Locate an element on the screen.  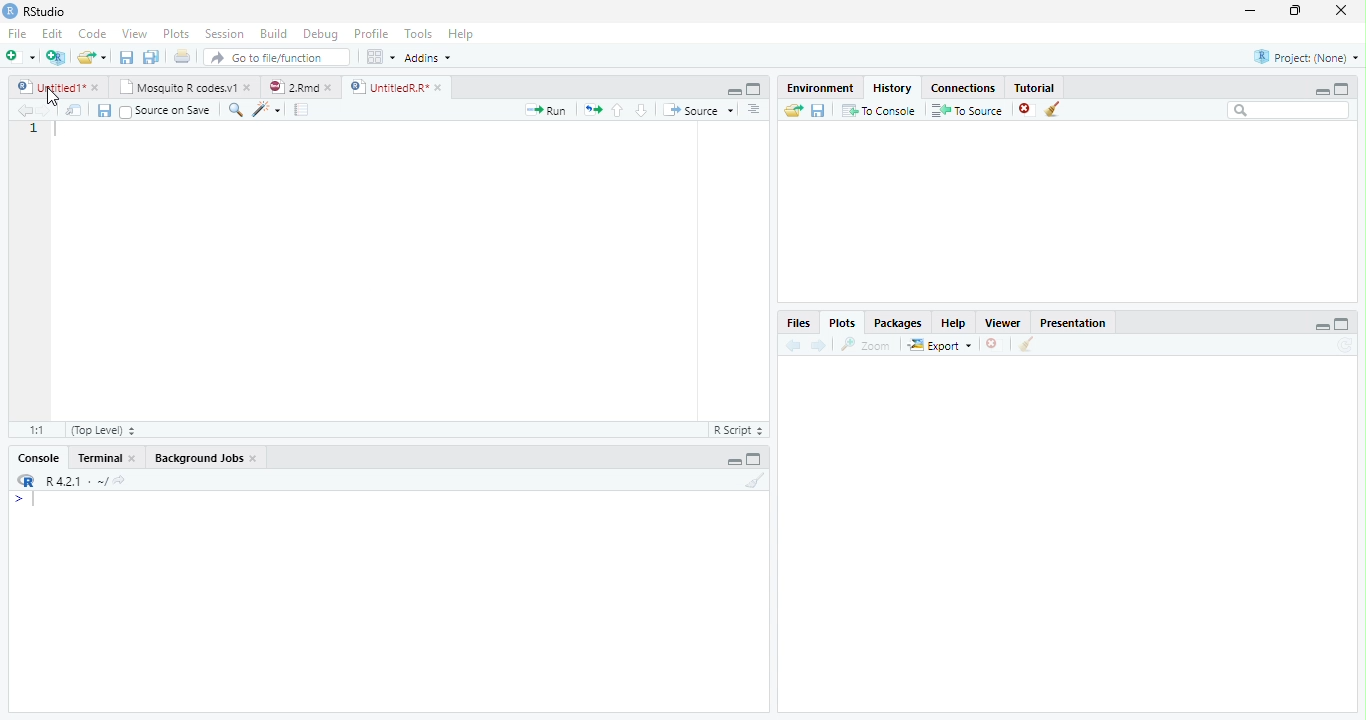
clear is located at coordinates (1026, 346).